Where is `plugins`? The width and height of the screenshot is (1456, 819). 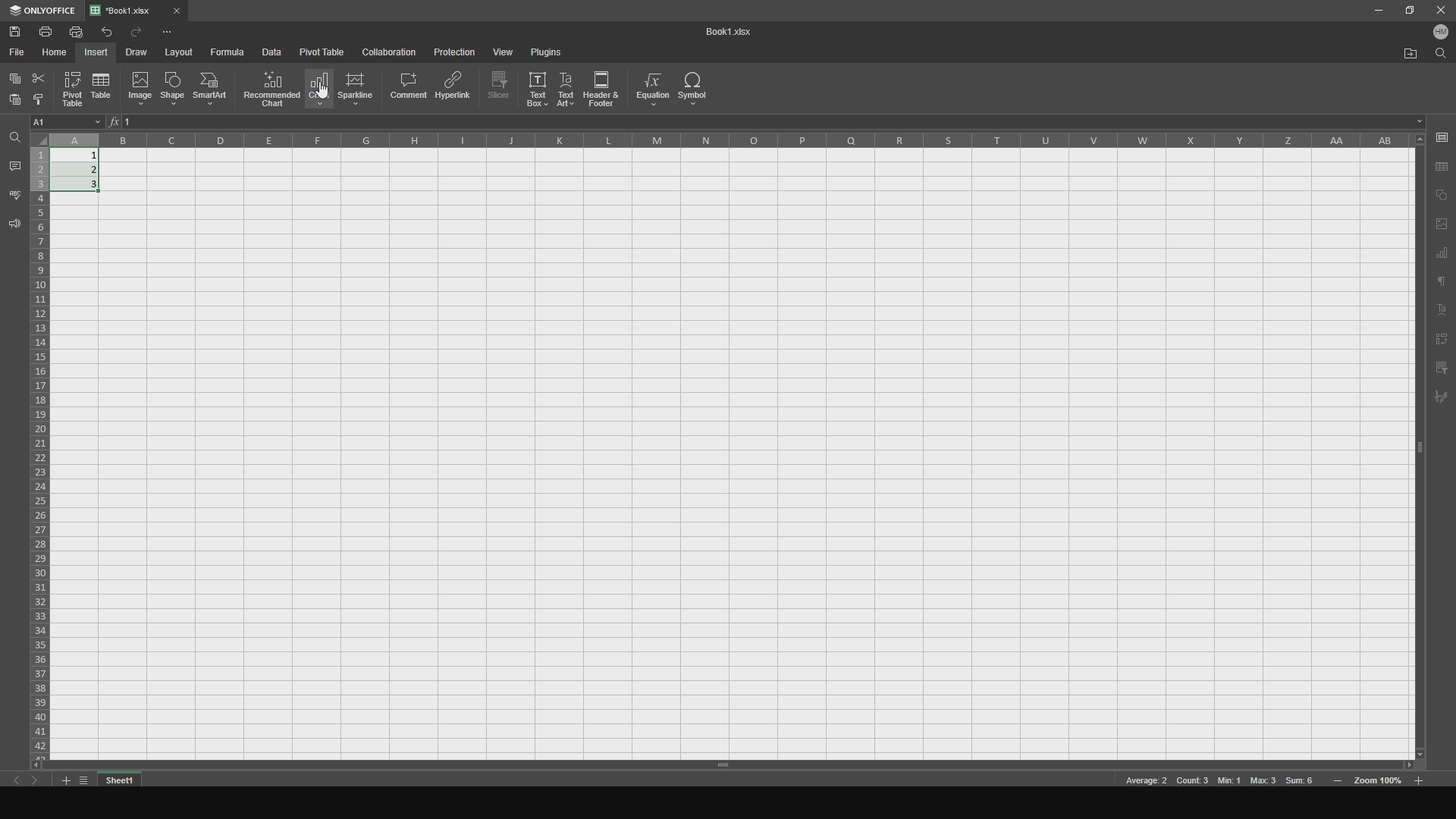
plugins is located at coordinates (548, 52).